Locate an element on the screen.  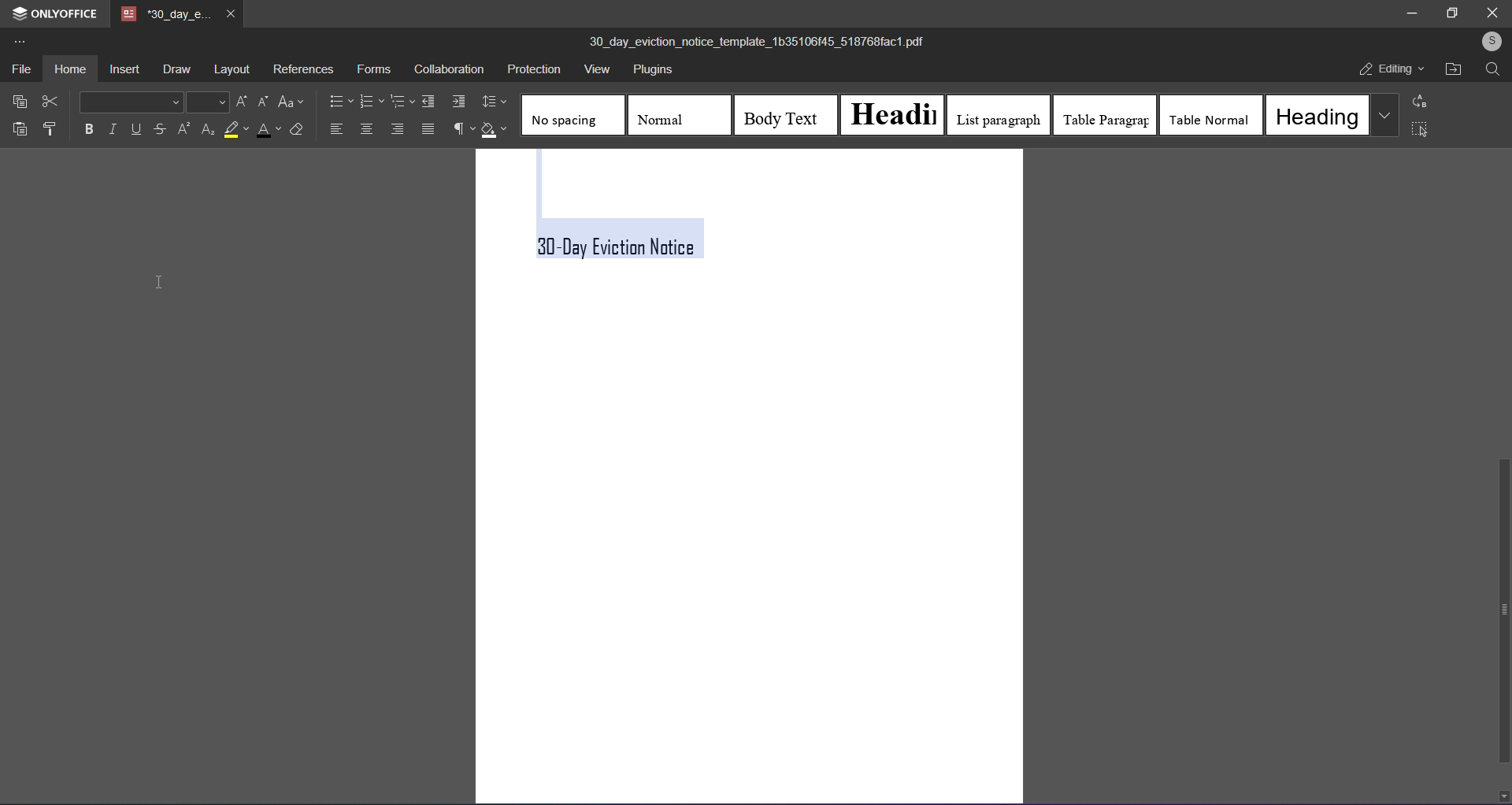
editing is located at coordinates (1392, 69).